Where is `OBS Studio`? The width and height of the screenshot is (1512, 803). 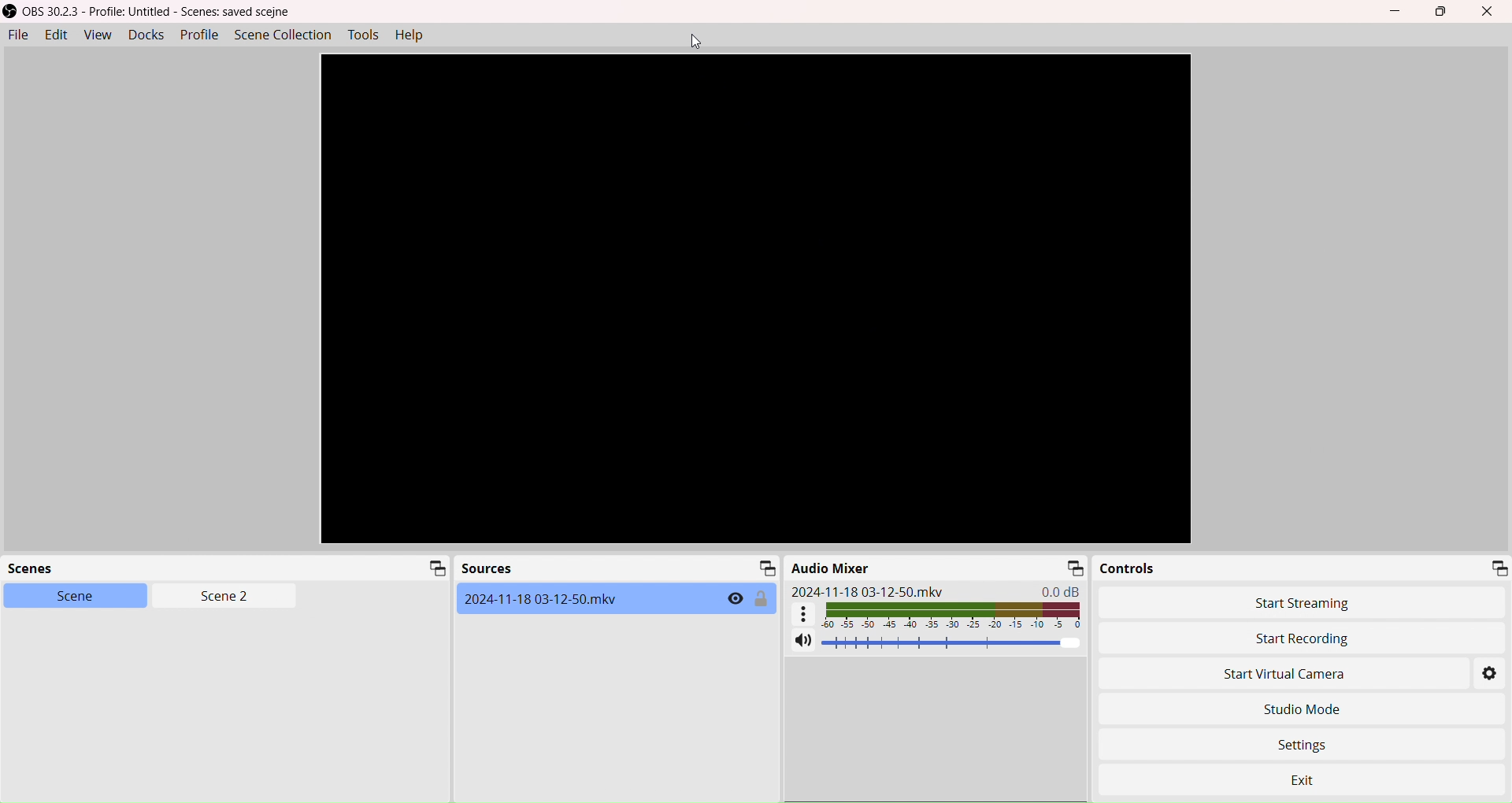 OBS Studio is located at coordinates (154, 12).